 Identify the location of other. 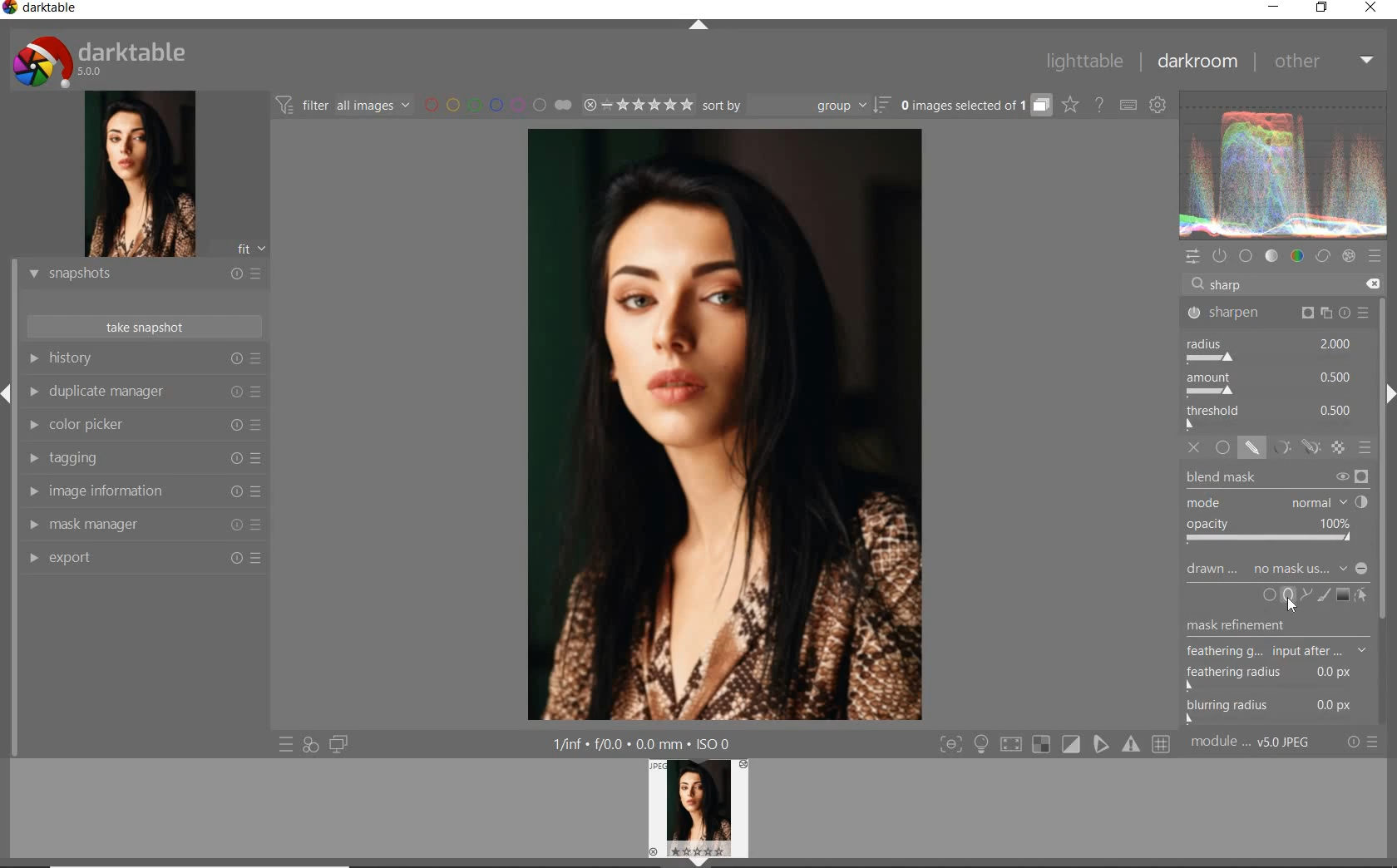
(1320, 62).